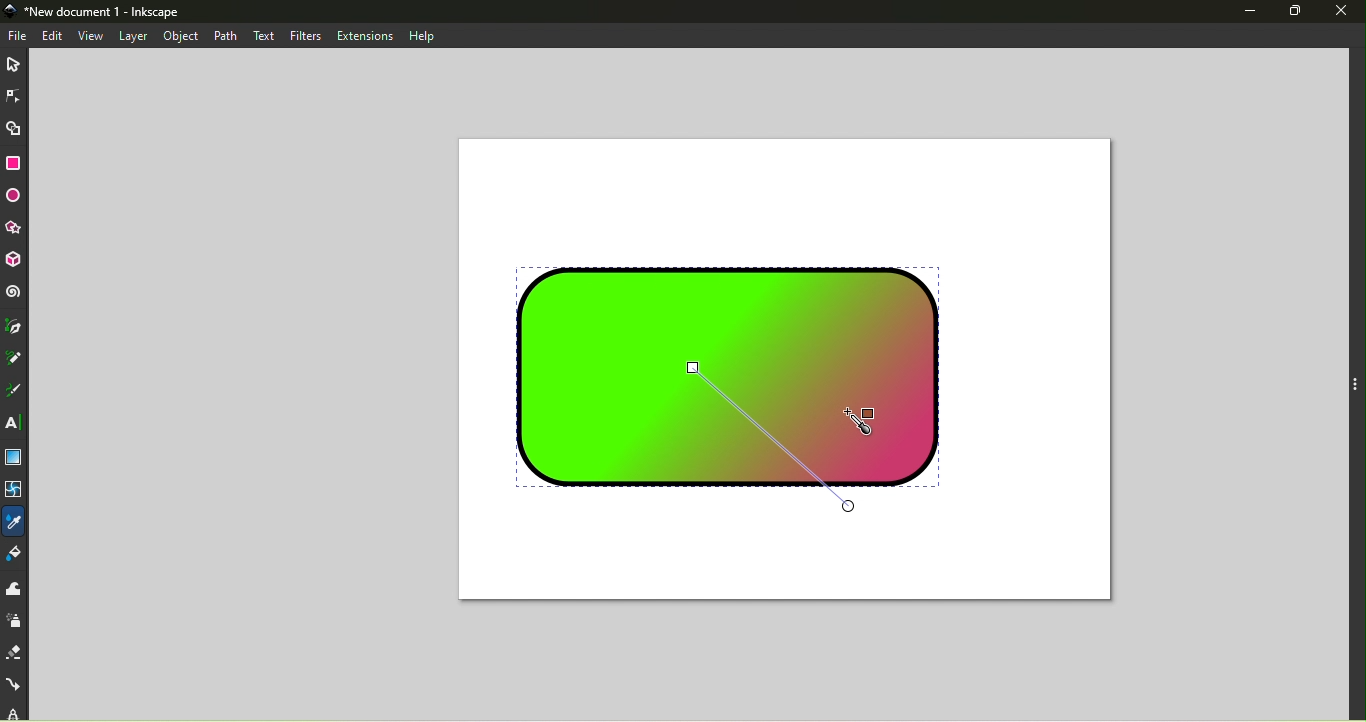 The image size is (1366, 722). I want to click on Shape builder tool, so click(14, 127).